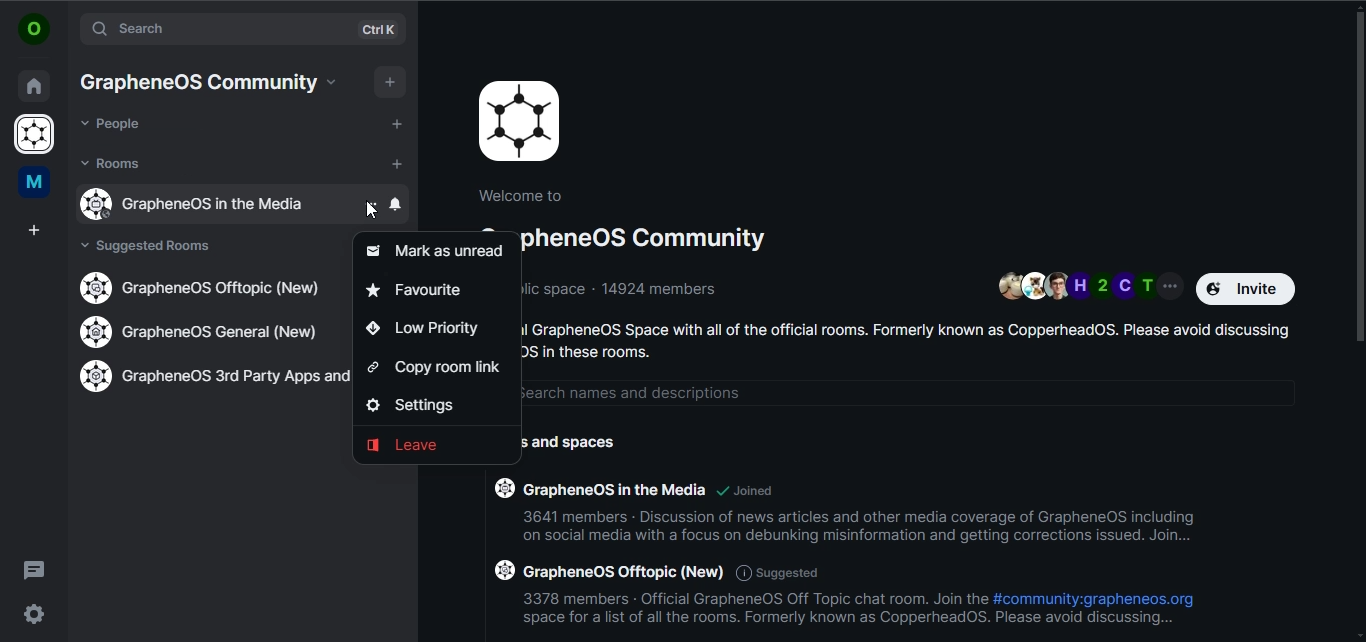  Describe the element at coordinates (1089, 285) in the screenshot. I see `view all members` at that location.